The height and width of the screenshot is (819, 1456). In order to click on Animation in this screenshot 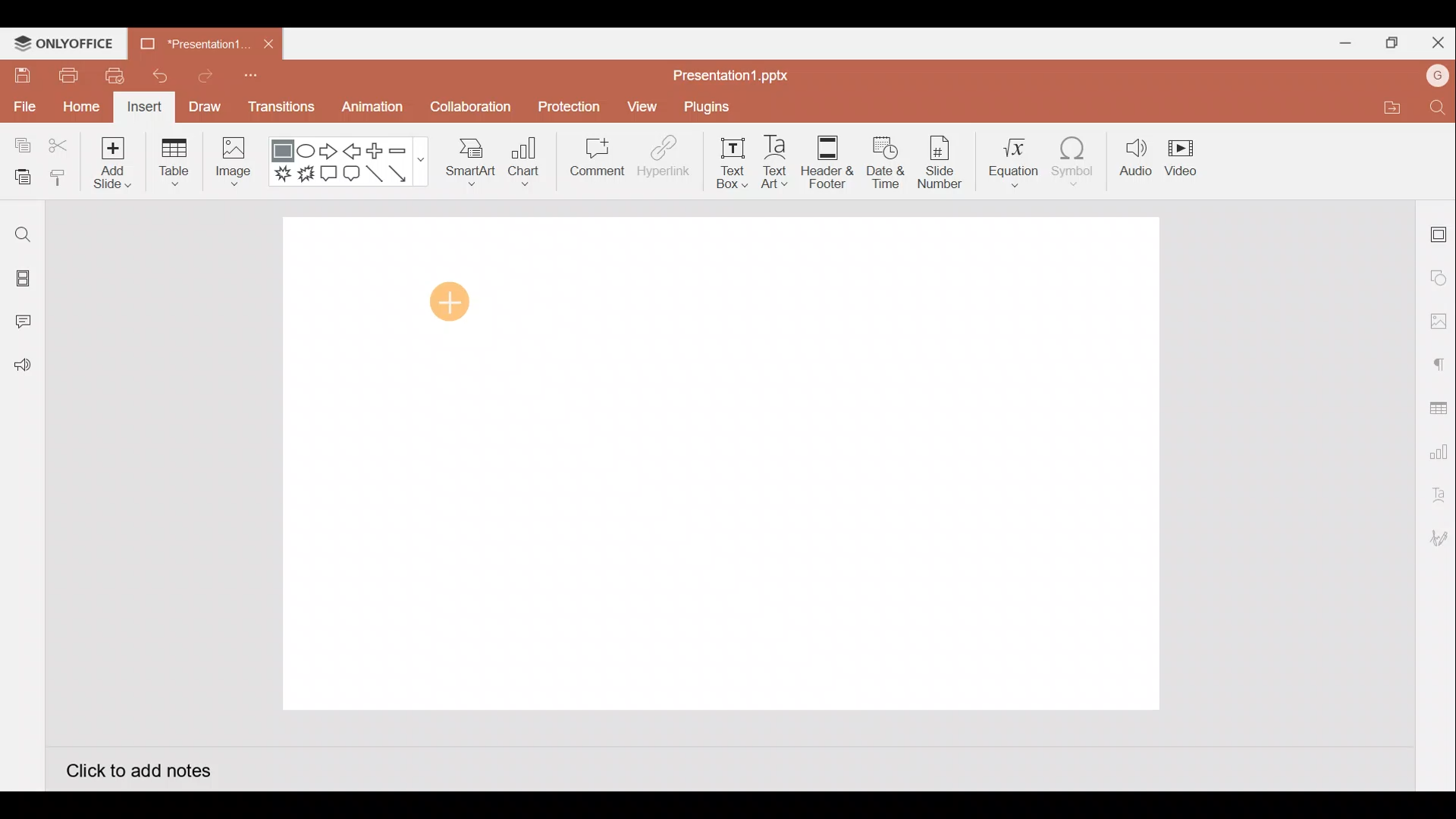, I will do `click(374, 111)`.